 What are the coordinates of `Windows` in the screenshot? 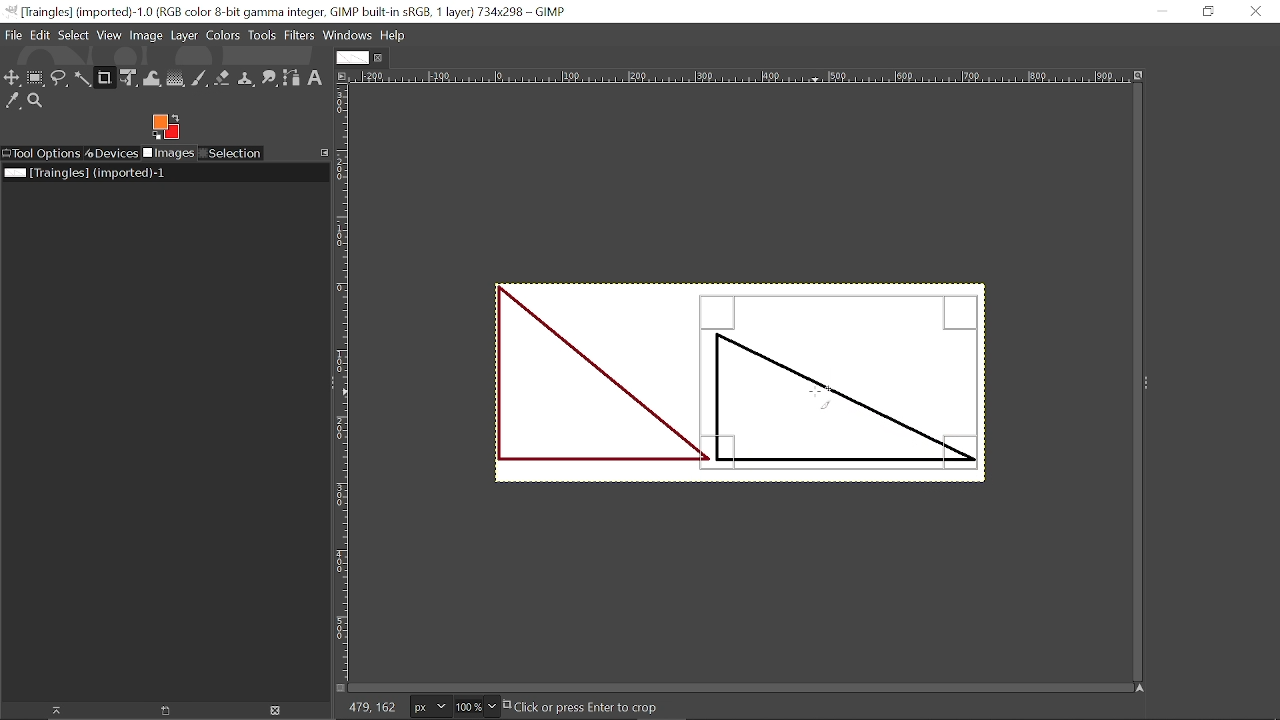 It's located at (347, 36).